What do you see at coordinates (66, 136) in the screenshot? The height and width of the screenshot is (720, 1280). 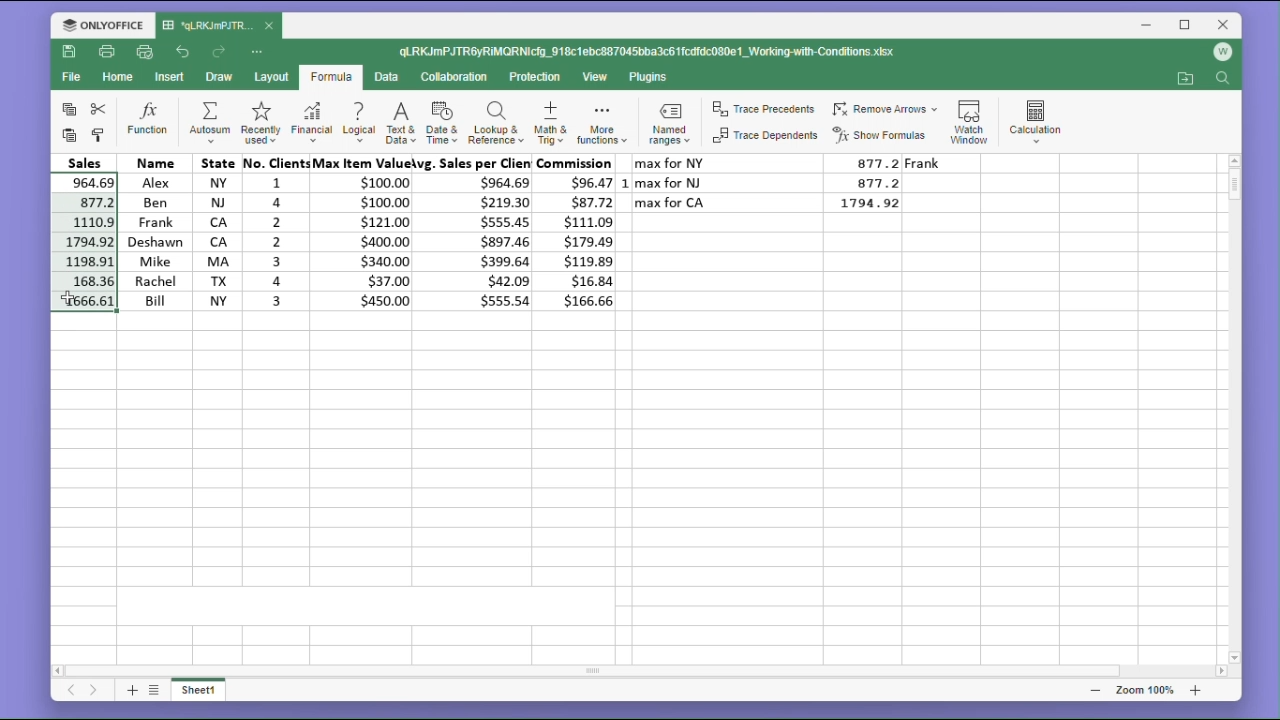 I see `paste` at bounding box center [66, 136].